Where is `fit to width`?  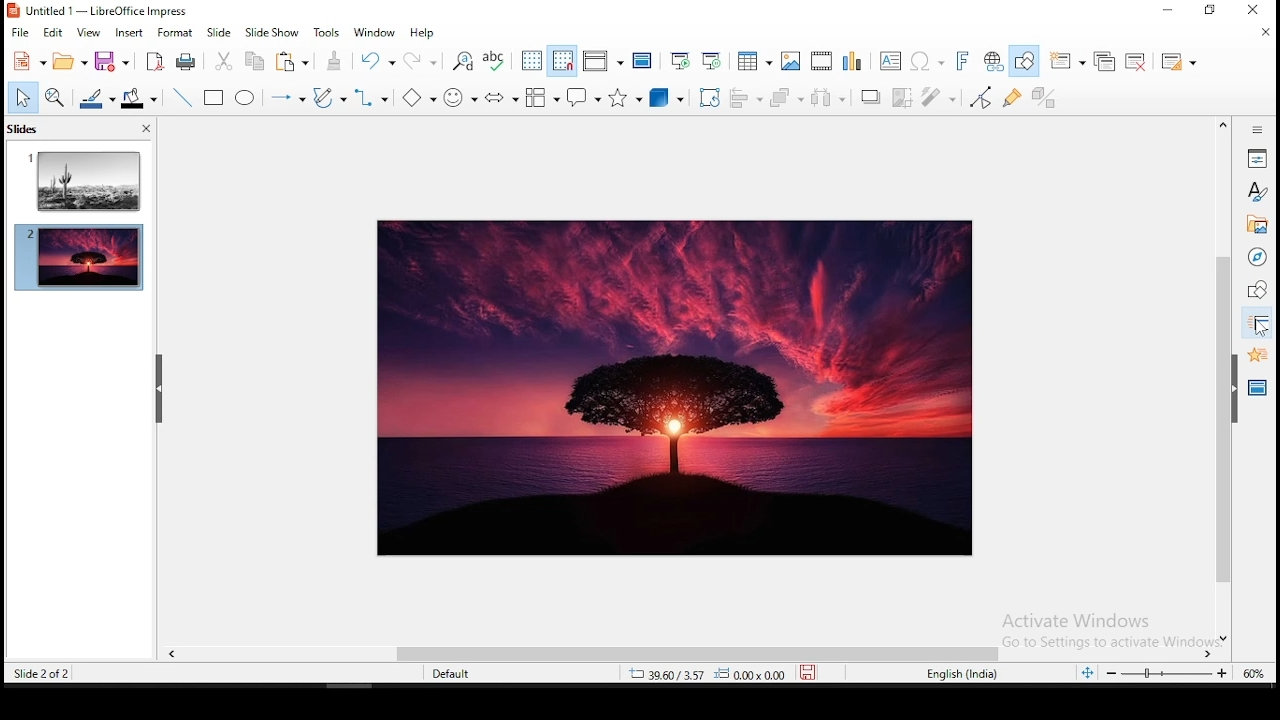 fit to width is located at coordinates (1086, 675).